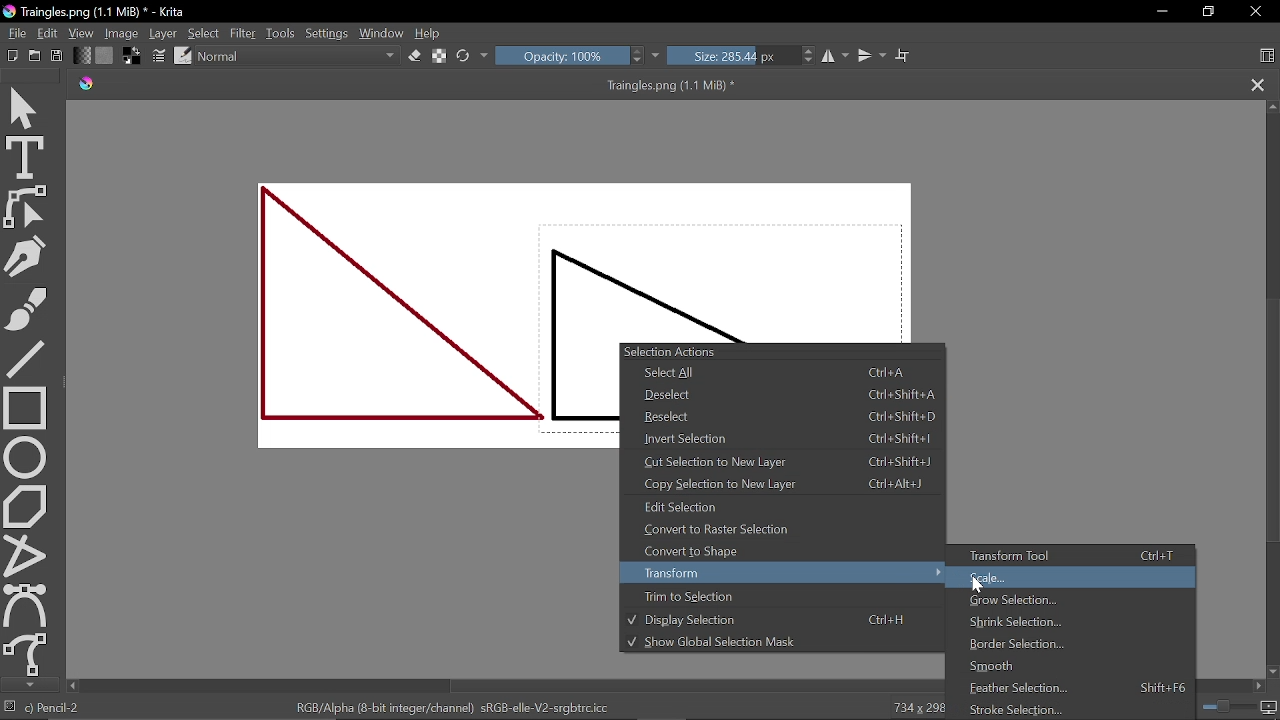 This screenshot has height=720, width=1280. Describe the element at coordinates (450, 708) in the screenshot. I see `RGB/Alpha (8-bit integer/channel) sRGB-elle-V2-srgbtrc.icc` at that location.